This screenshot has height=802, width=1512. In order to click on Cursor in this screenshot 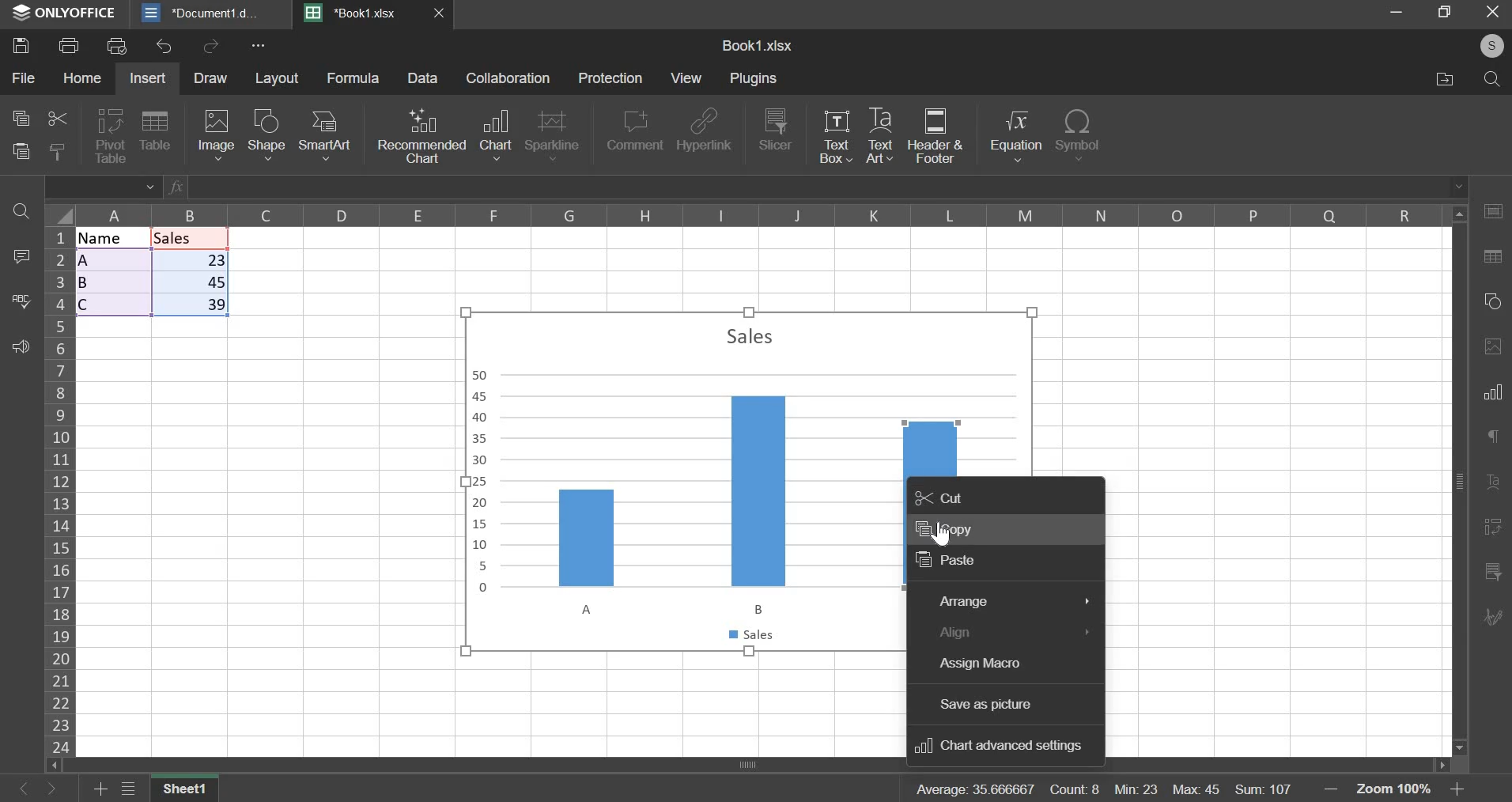, I will do `click(943, 533)`.